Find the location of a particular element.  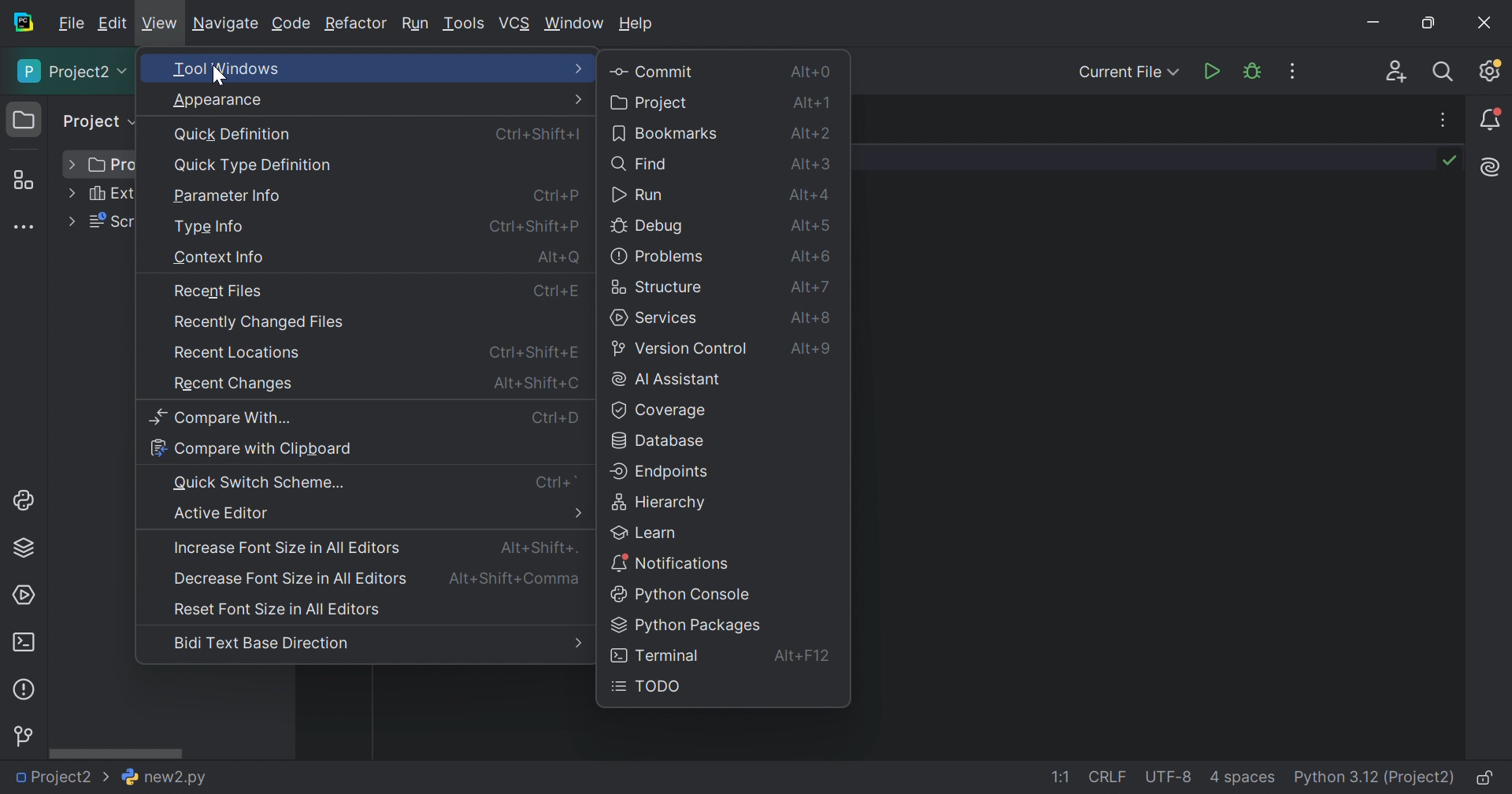

Project is located at coordinates (73, 73).